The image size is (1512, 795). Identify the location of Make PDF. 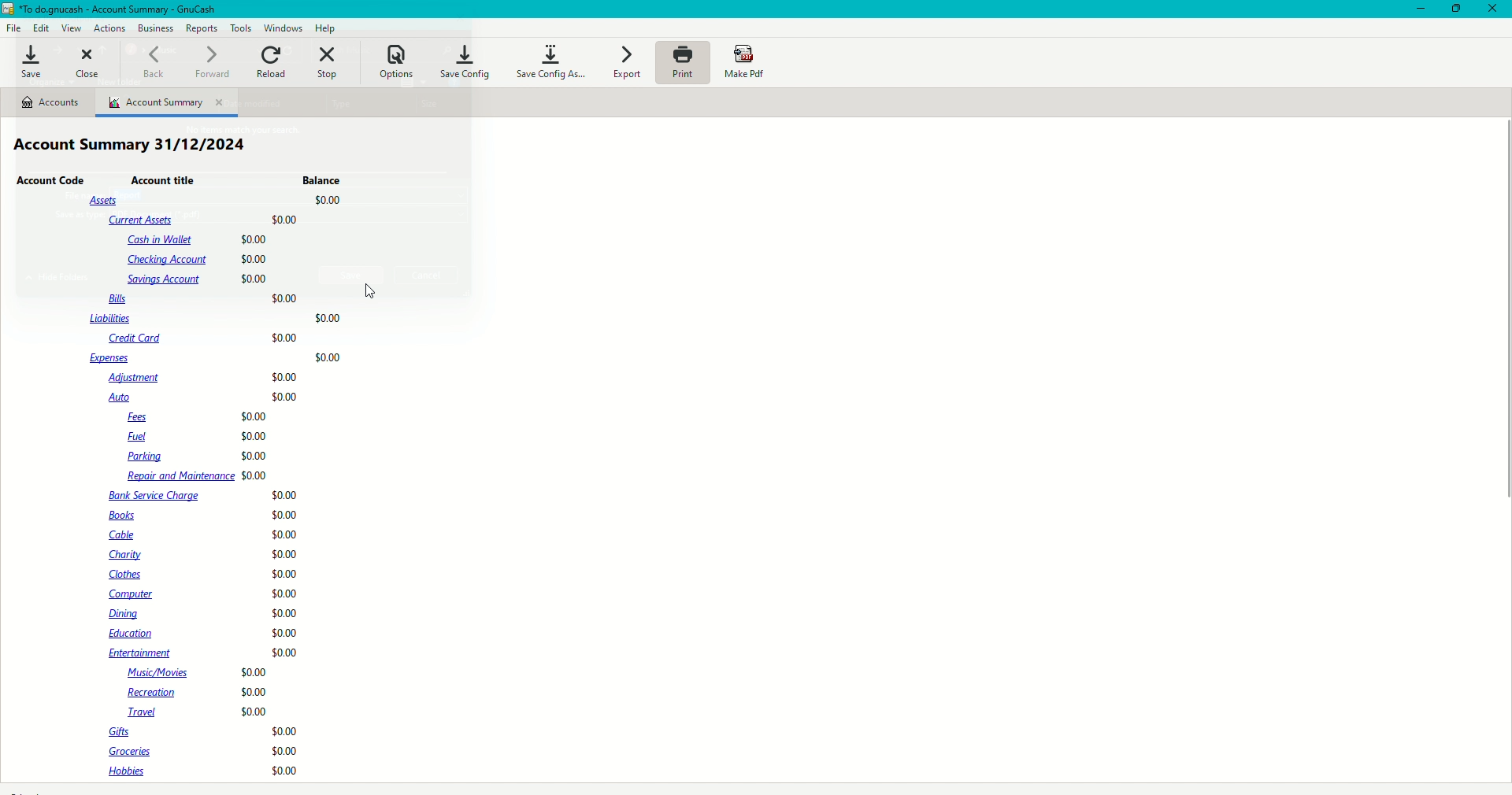
(749, 63).